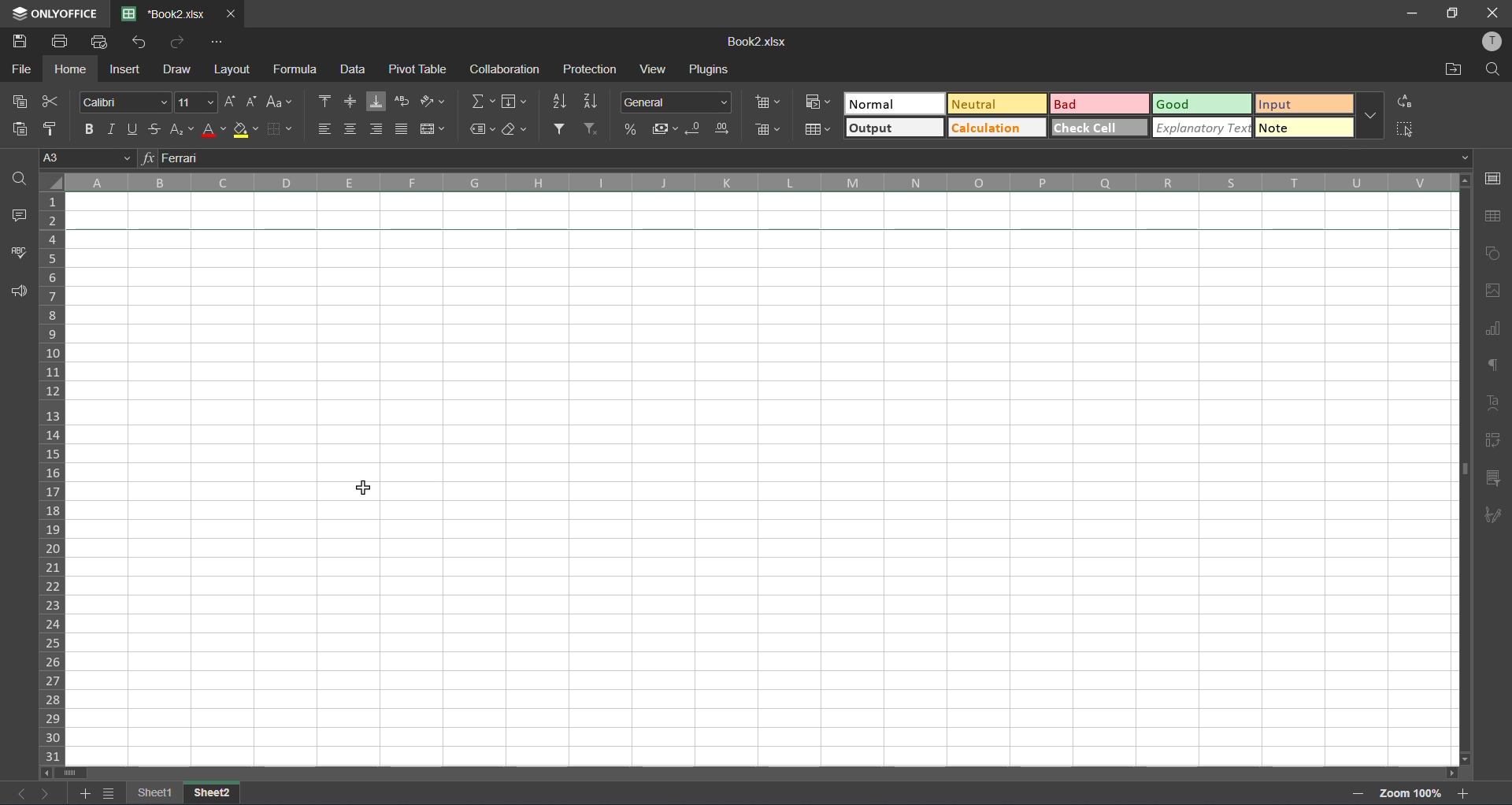  What do you see at coordinates (1414, 14) in the screenshot?
I see `minimize` at bounding box center [1414, 14].